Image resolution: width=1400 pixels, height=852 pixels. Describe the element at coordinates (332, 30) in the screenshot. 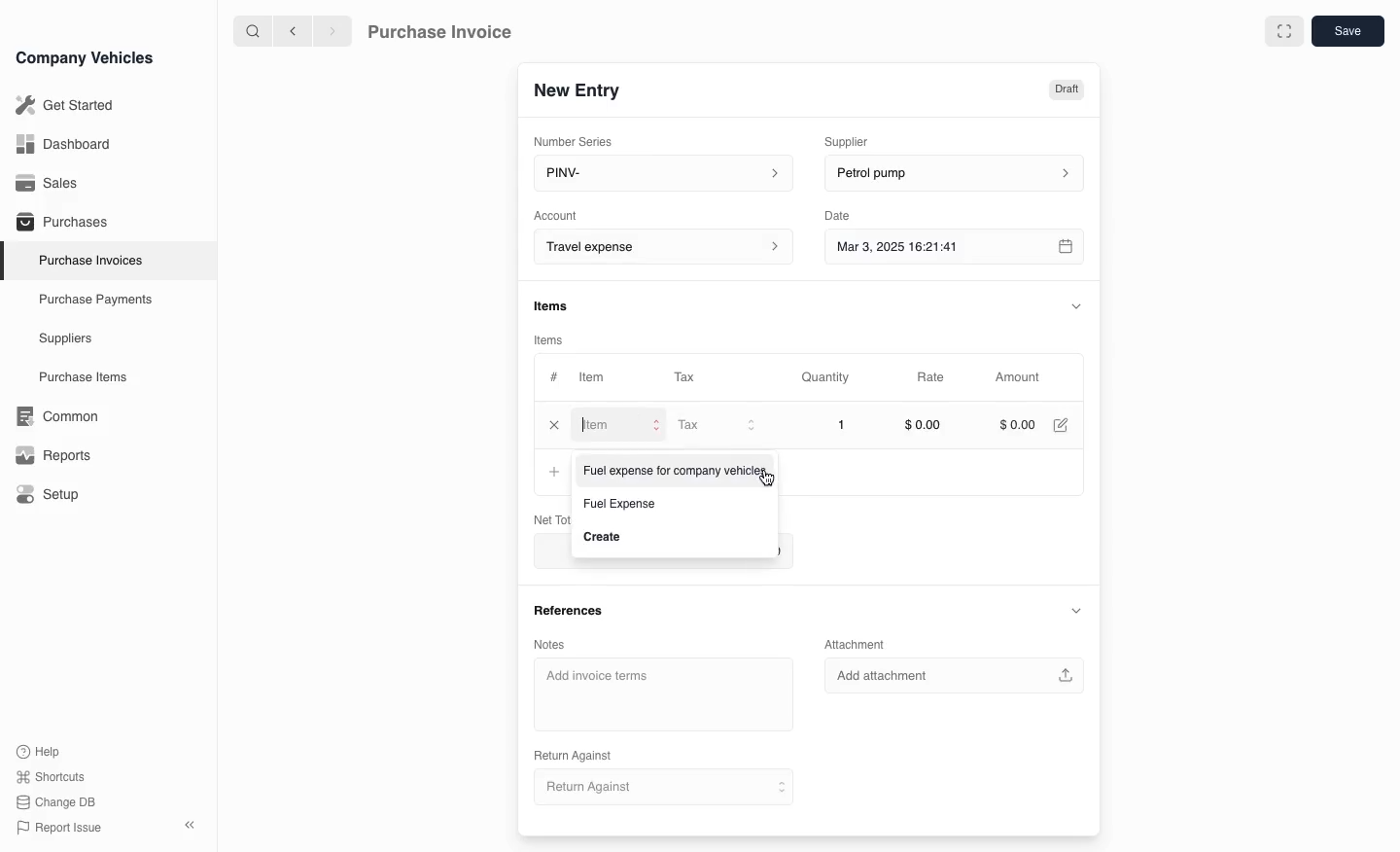

I see `next` at that location.